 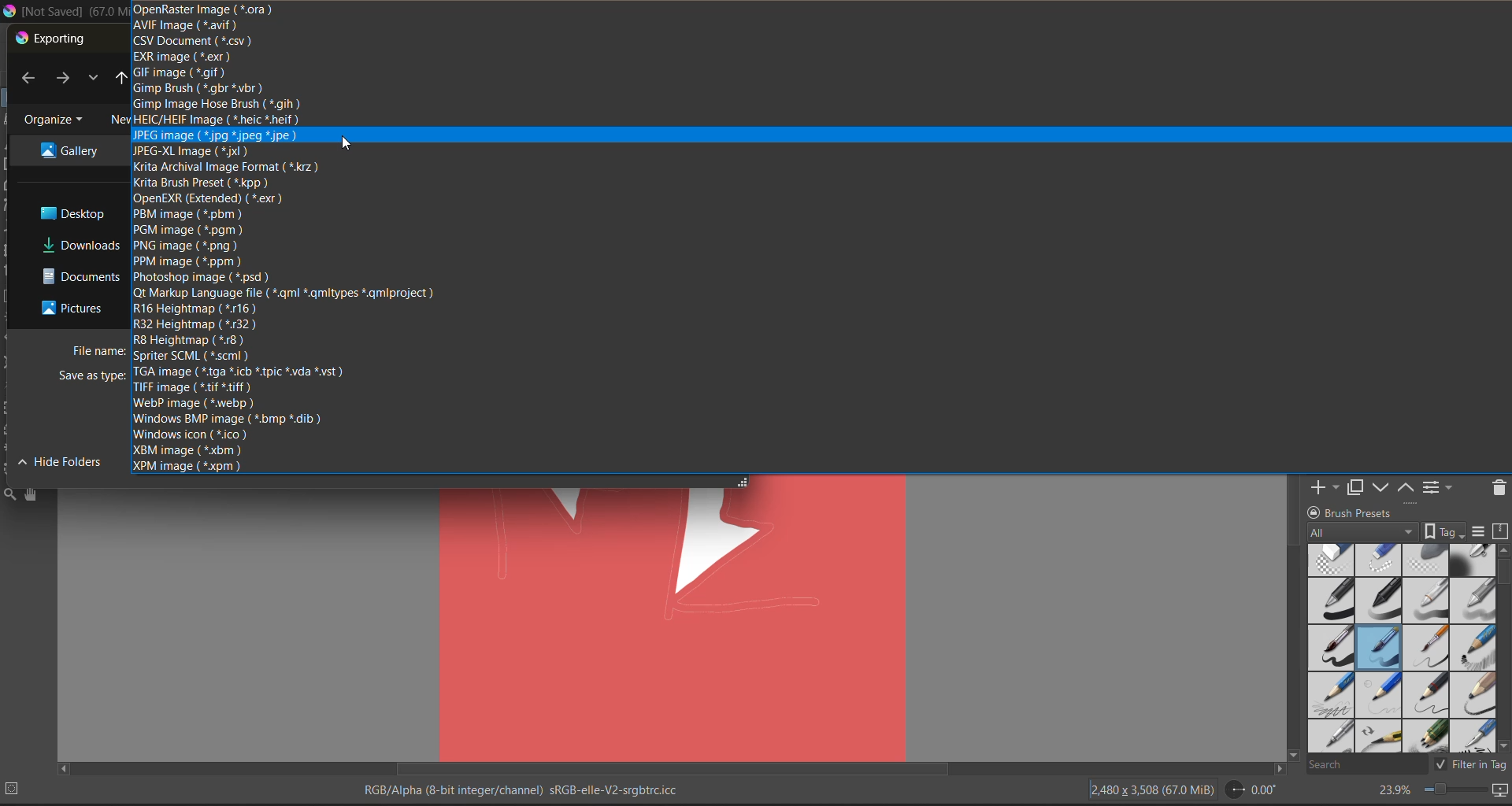 What do you see at coordinates (201, 183) in the screenshot?
I see `krita brush preset` at bounding box center [201, 183].